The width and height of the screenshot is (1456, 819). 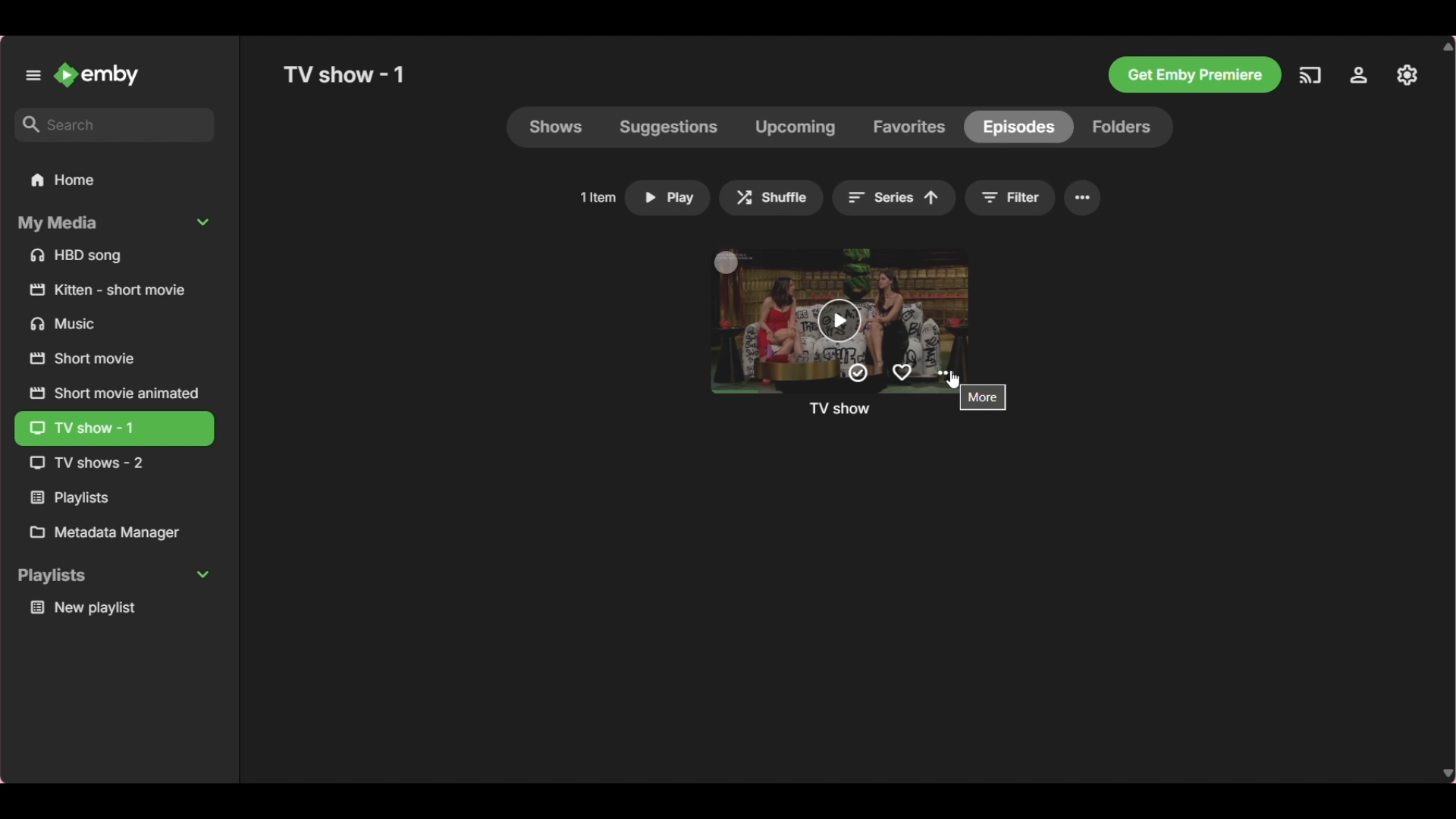 I want to click on Title of current page, so click(x=344, y=74).